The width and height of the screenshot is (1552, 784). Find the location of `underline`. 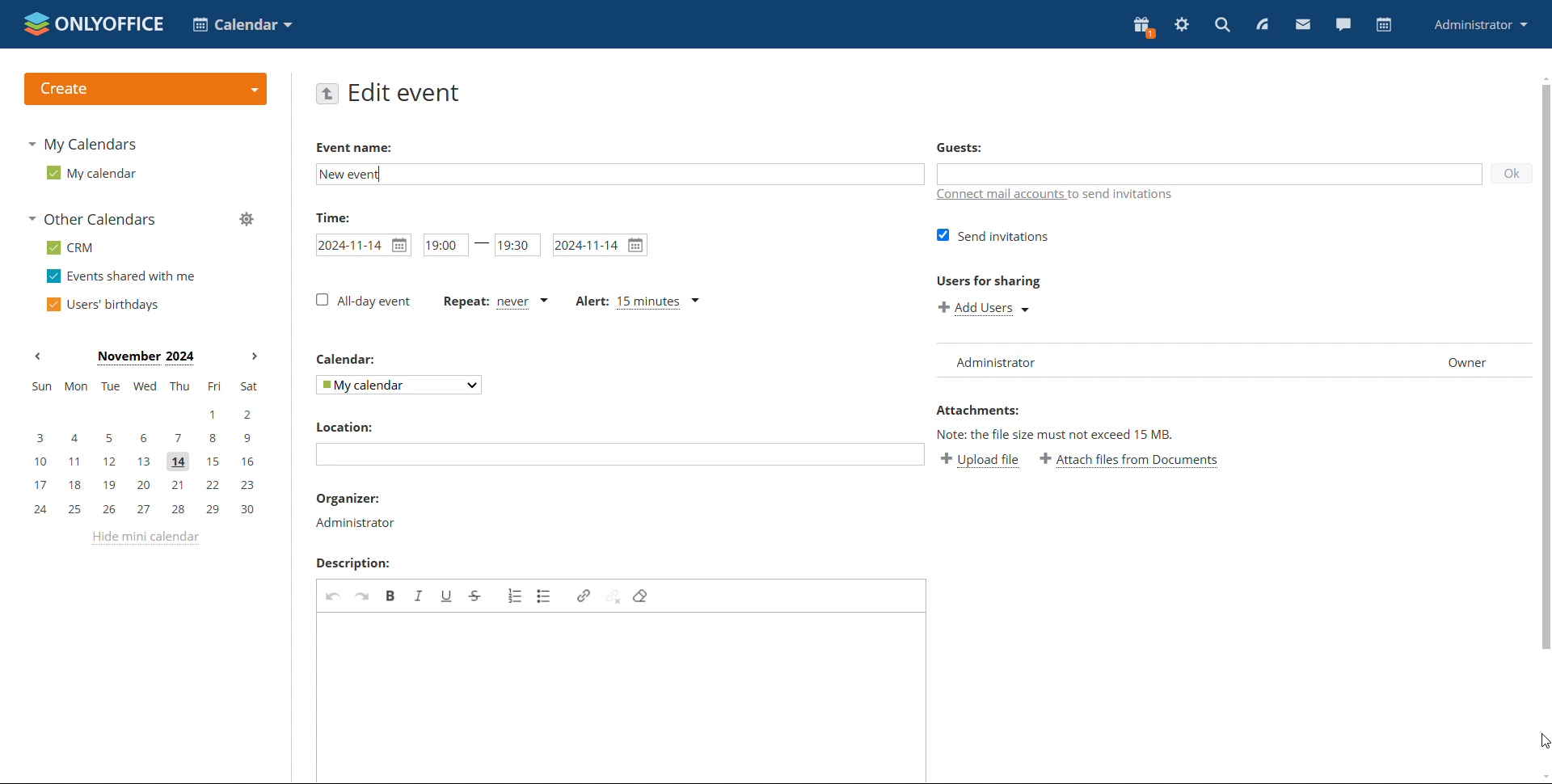

underline is located at coordinates (446, 596).